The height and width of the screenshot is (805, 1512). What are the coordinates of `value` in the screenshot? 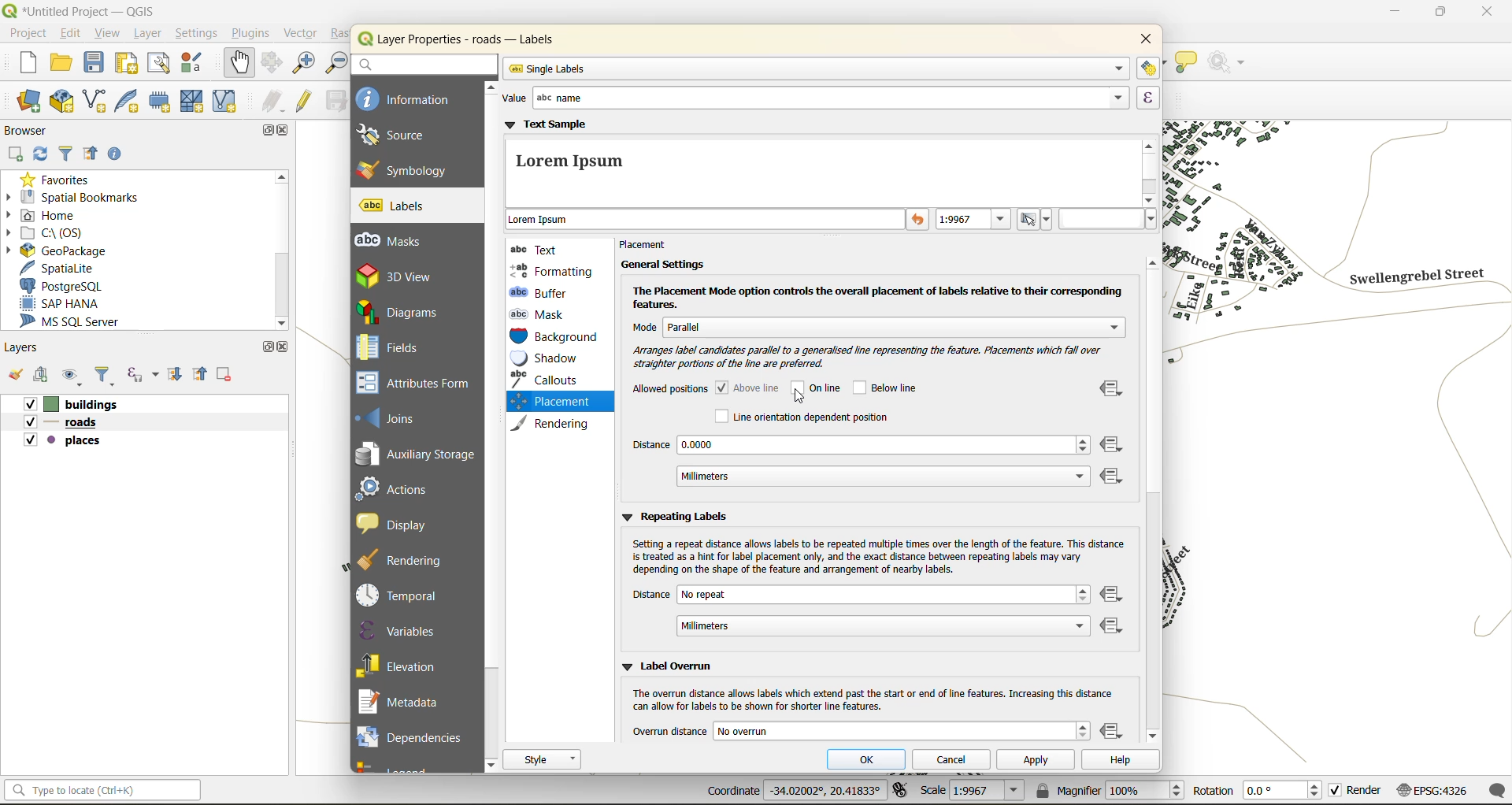 It's located at (812, 98).